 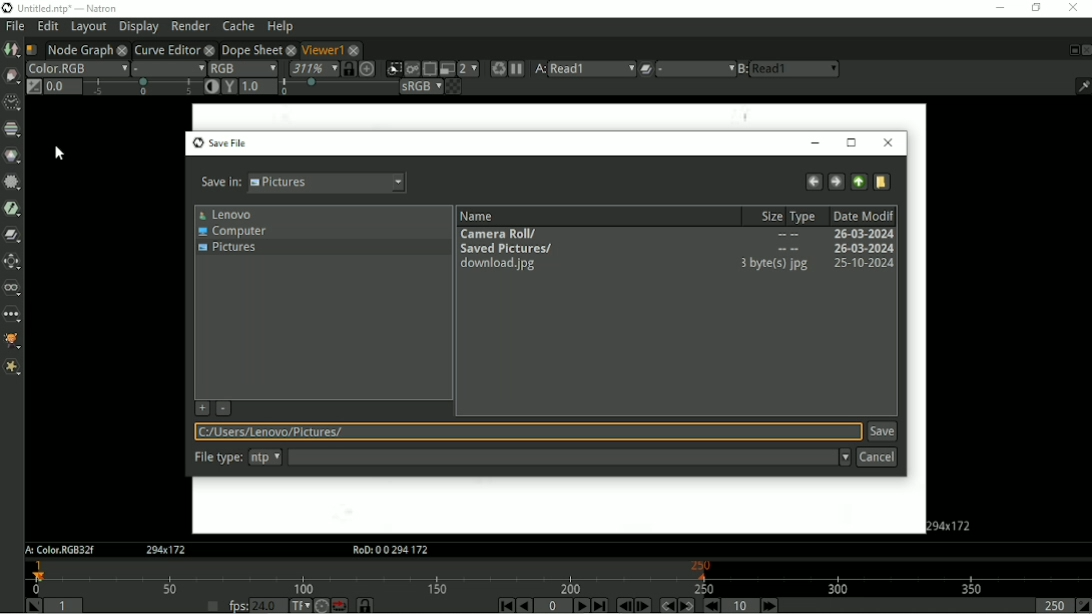 What do you see at coordinates (233, 232) in the screenshot?
I see `Computer` at bounding box center [233, 232].